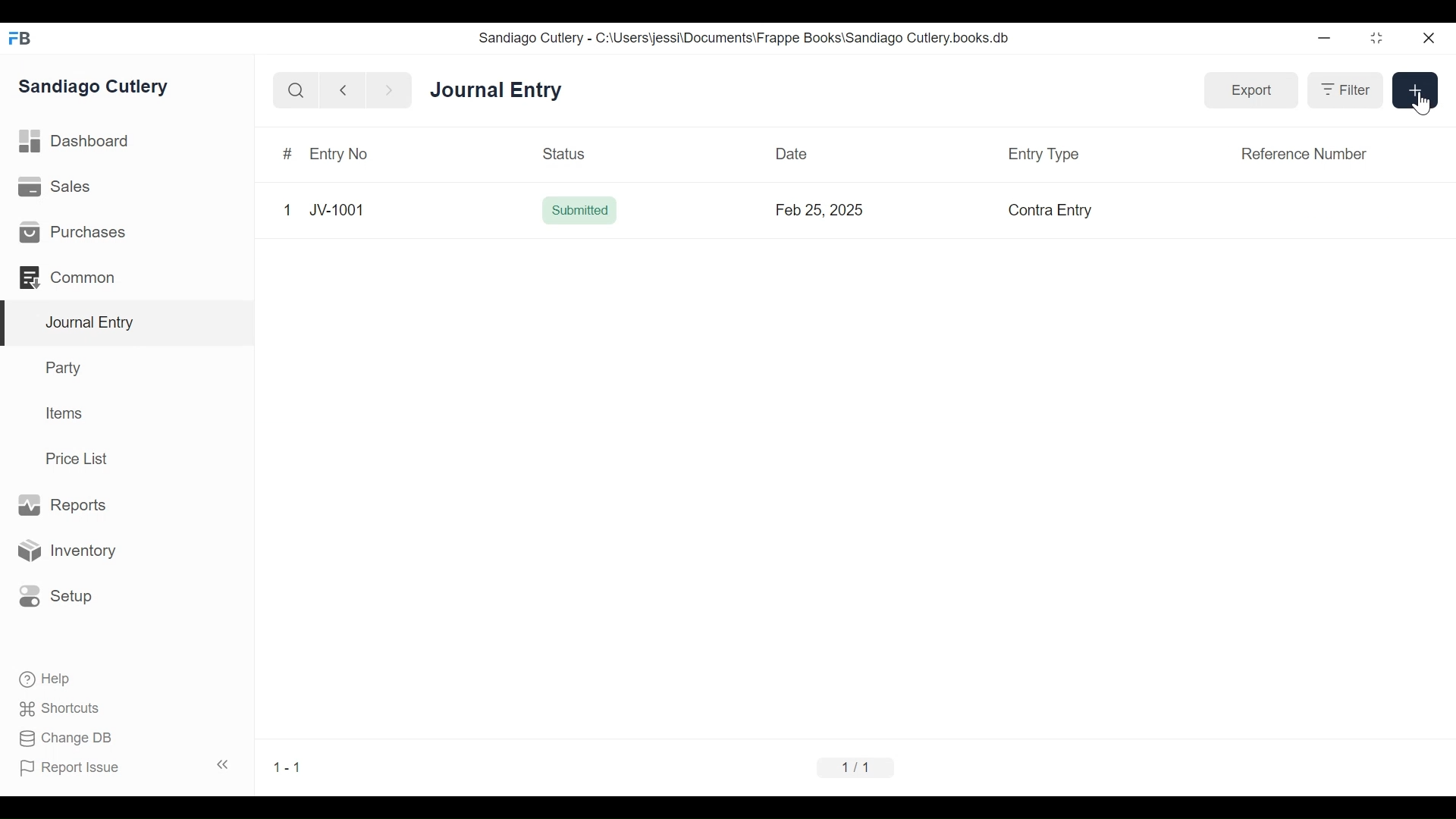 This screenshot has width=1456, height=819. What do you see at coordinates (1301, 153) in the screenshot?
I see `Reference Number` at bounding box center [1301, 153].